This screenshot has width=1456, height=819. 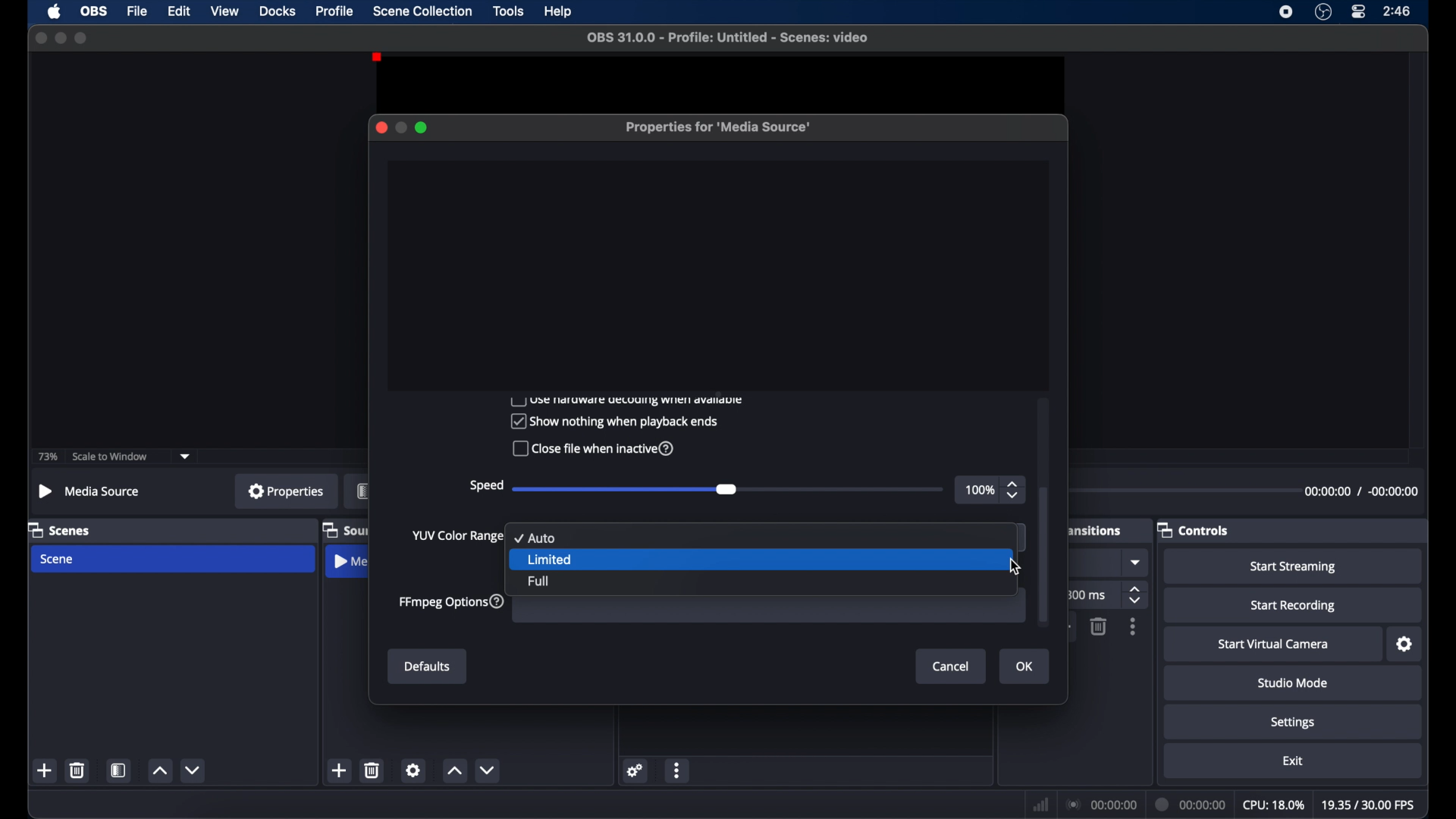 What do you see at coordinates (194, 770) in the screenshot?
I see `decrement` at bounding box center [194, 770].